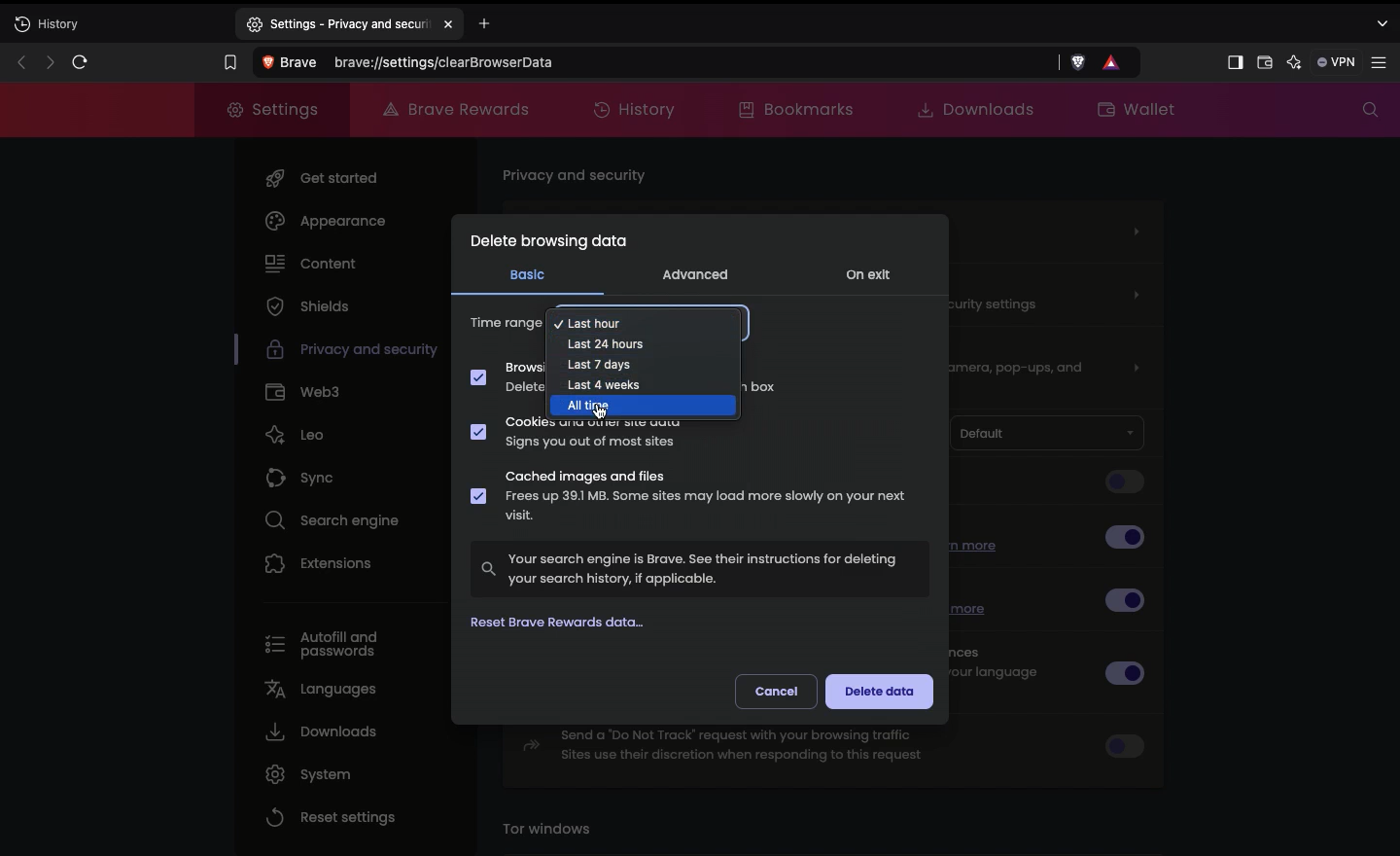  What do you see at coordinates (226, 60) in the screenshot?
I see `Bookmark` at bounding box center [226, 60].